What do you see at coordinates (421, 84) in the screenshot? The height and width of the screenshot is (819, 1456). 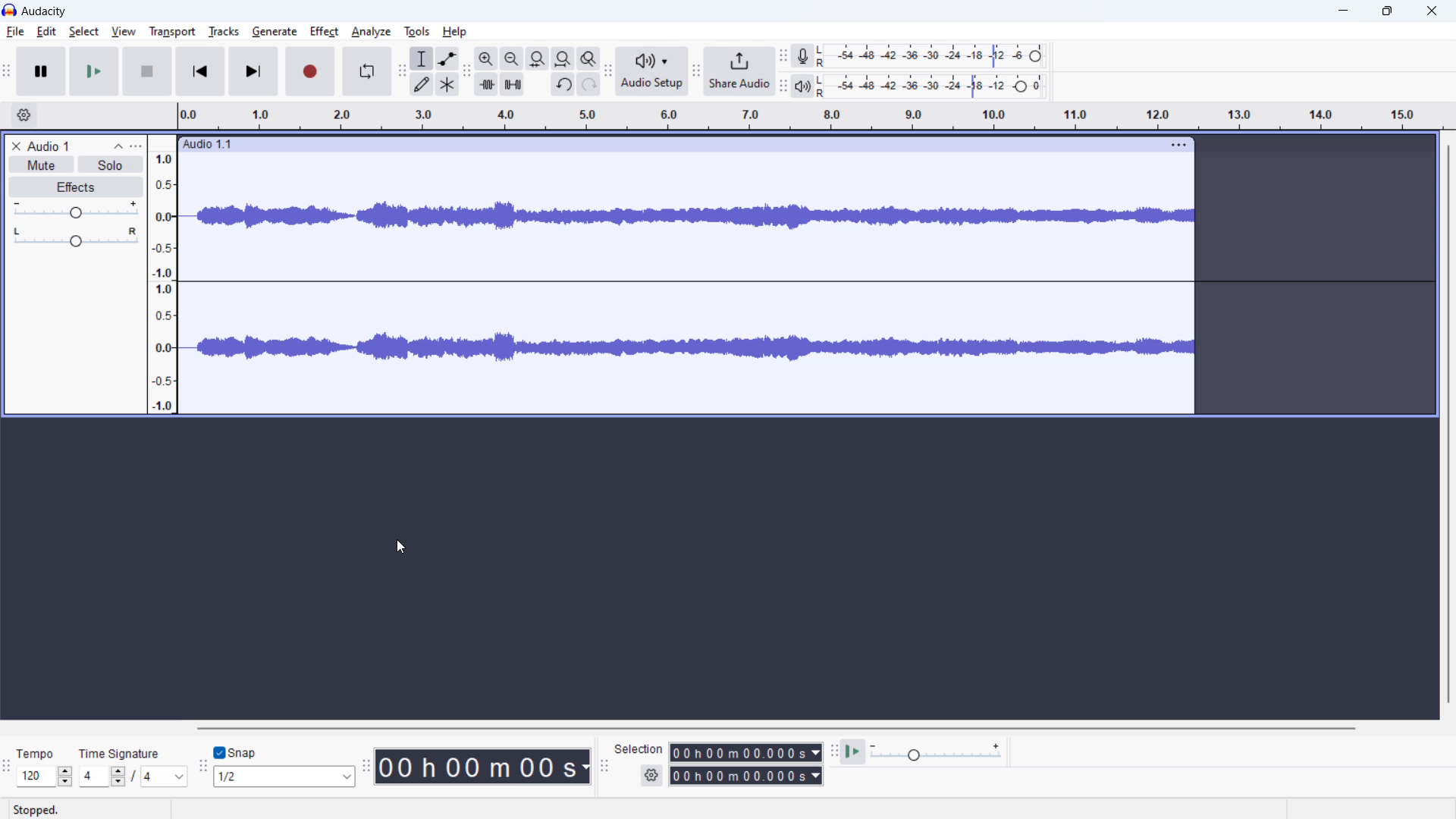 I see `draw tool` at bounding box center [421, 84].